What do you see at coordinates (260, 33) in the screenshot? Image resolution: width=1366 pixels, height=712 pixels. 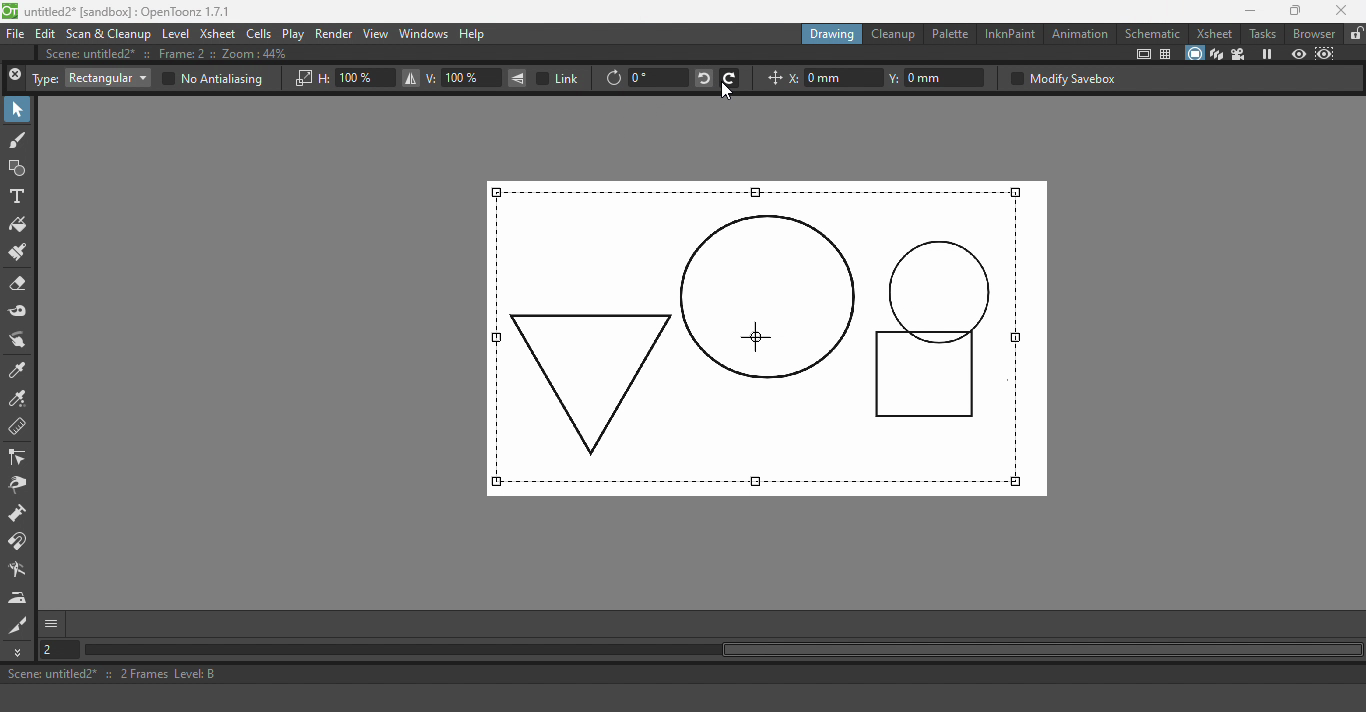 I see `Cells` at bounding box center [260, 33].